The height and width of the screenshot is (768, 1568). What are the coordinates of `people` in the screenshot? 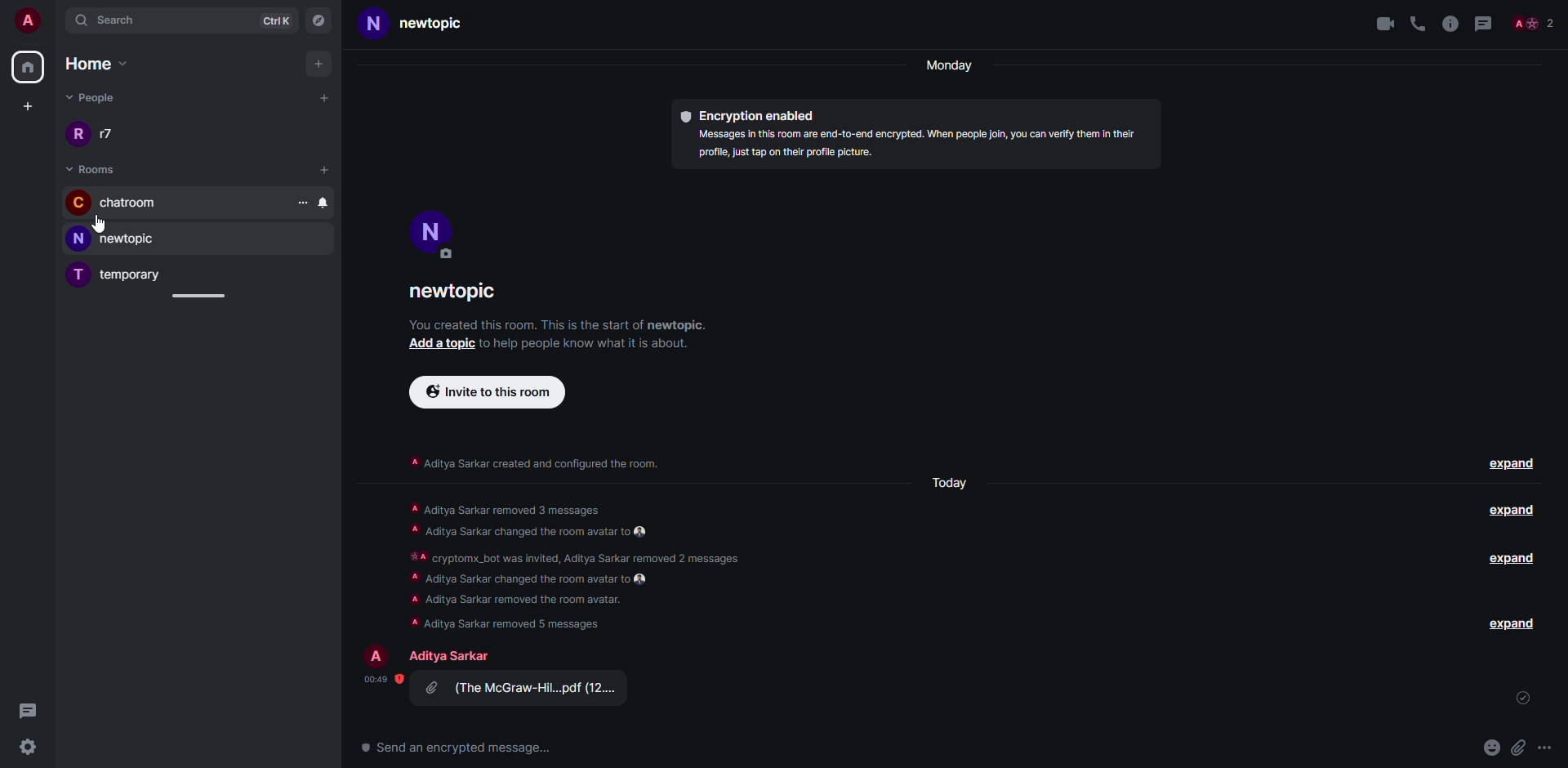 It's located at (1536, 22).